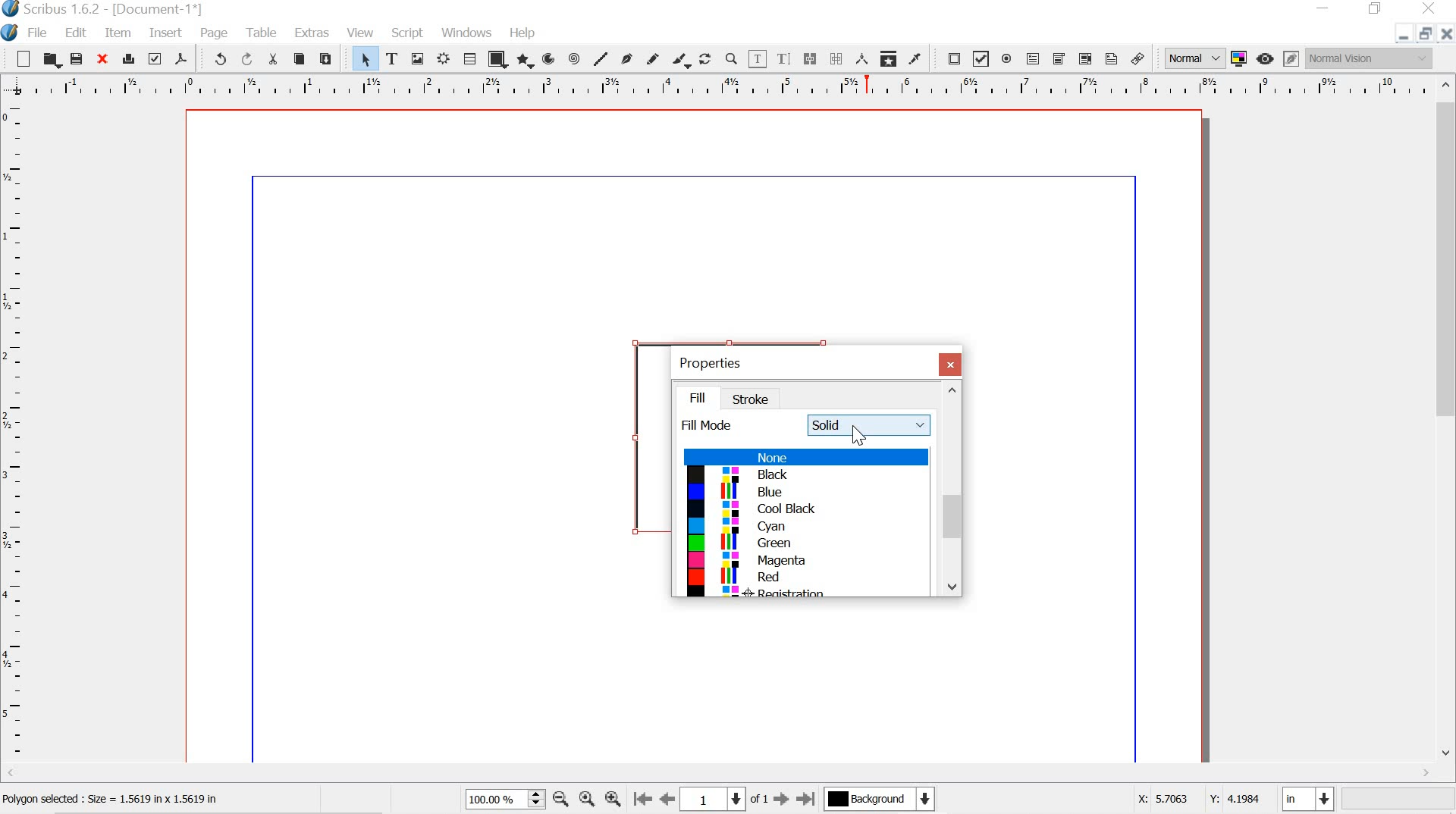  Describe the element at coordinates (627, 55) in the screenshot. I see `bezier curve` at that location.